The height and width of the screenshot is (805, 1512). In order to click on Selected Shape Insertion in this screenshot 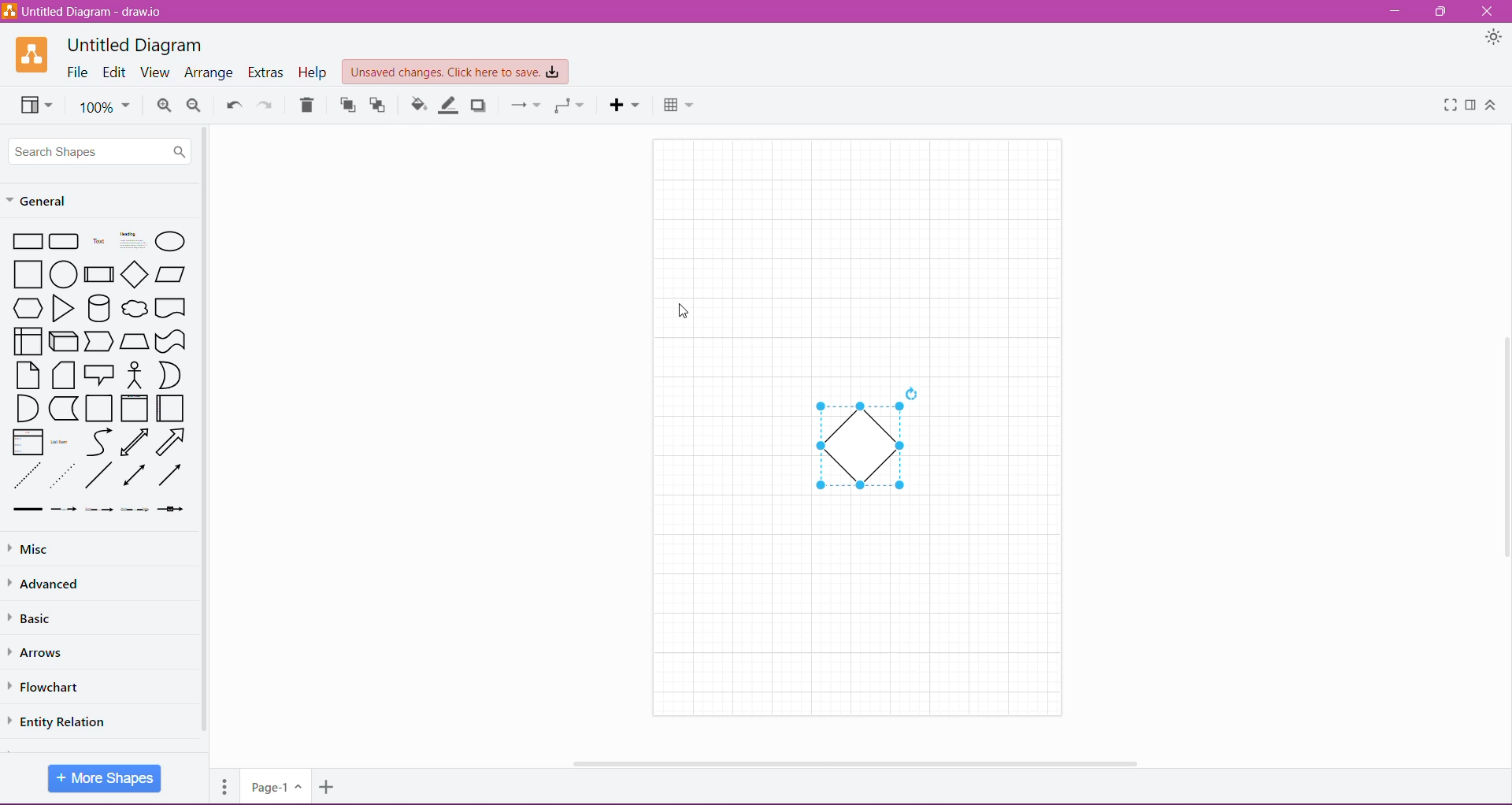, I will do `click(861, 447)`.